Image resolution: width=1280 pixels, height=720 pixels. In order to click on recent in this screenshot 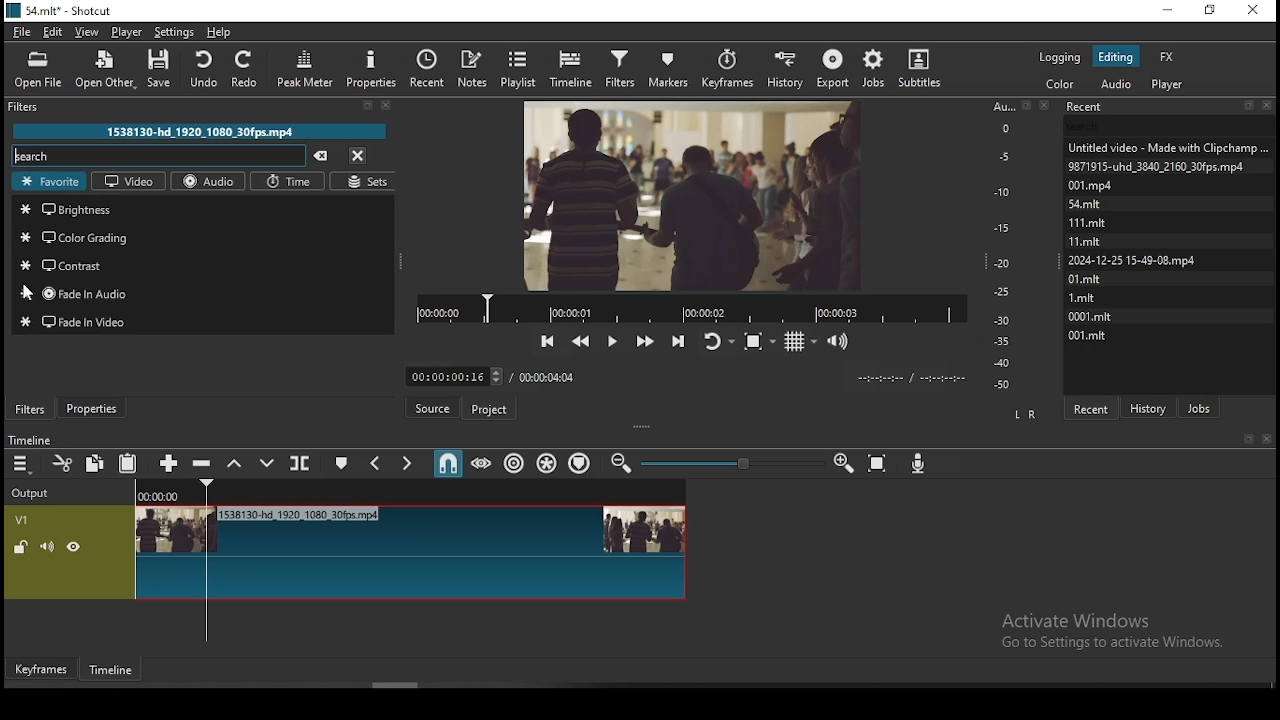, I will do `click(427, 69)`.